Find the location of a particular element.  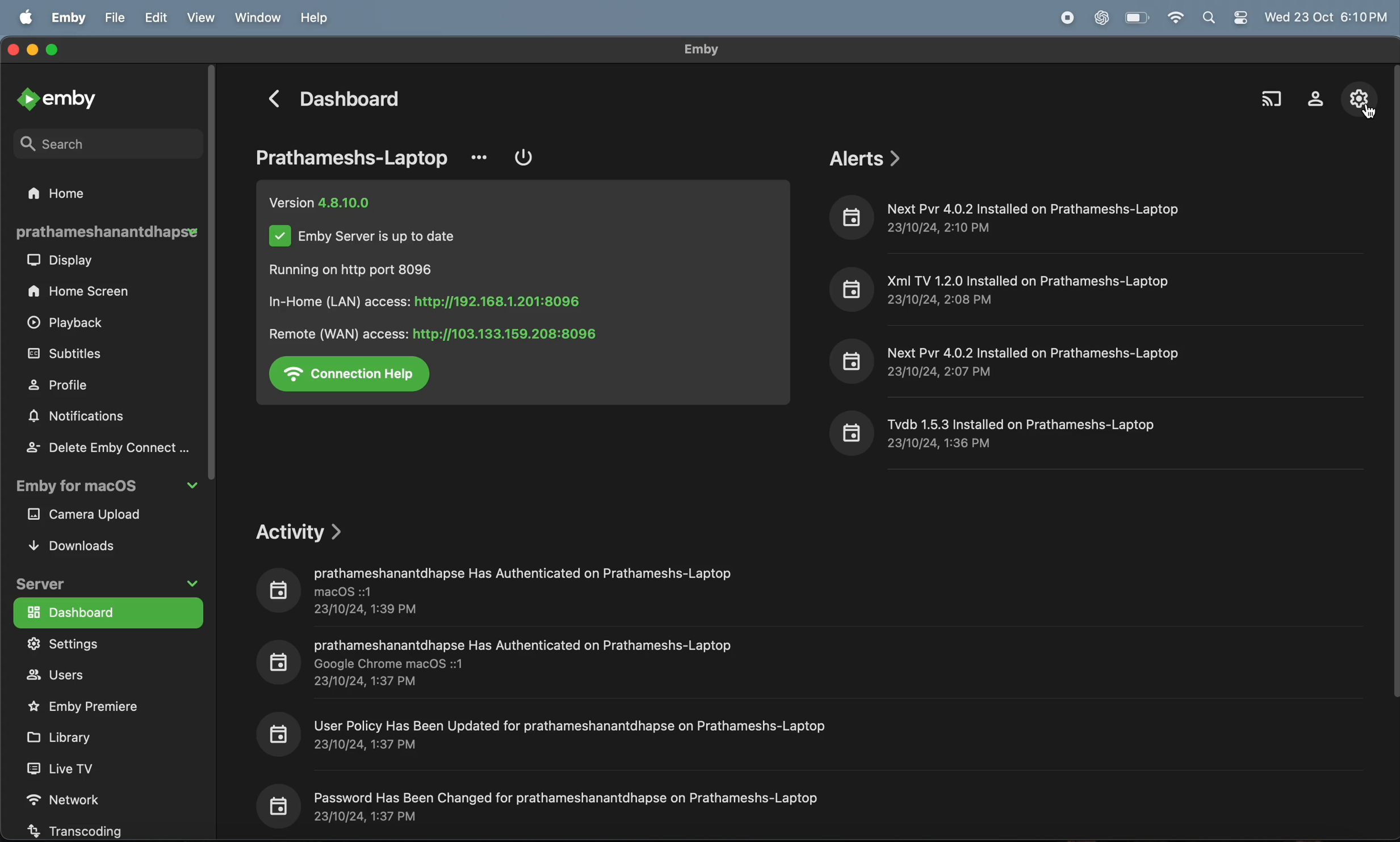

prathameshanantdhapse Has Authenticated on Prathameshs-Laptop
BB macOS ::1
23/10/24, 1:39 PM is located at coordinates (517, 590).